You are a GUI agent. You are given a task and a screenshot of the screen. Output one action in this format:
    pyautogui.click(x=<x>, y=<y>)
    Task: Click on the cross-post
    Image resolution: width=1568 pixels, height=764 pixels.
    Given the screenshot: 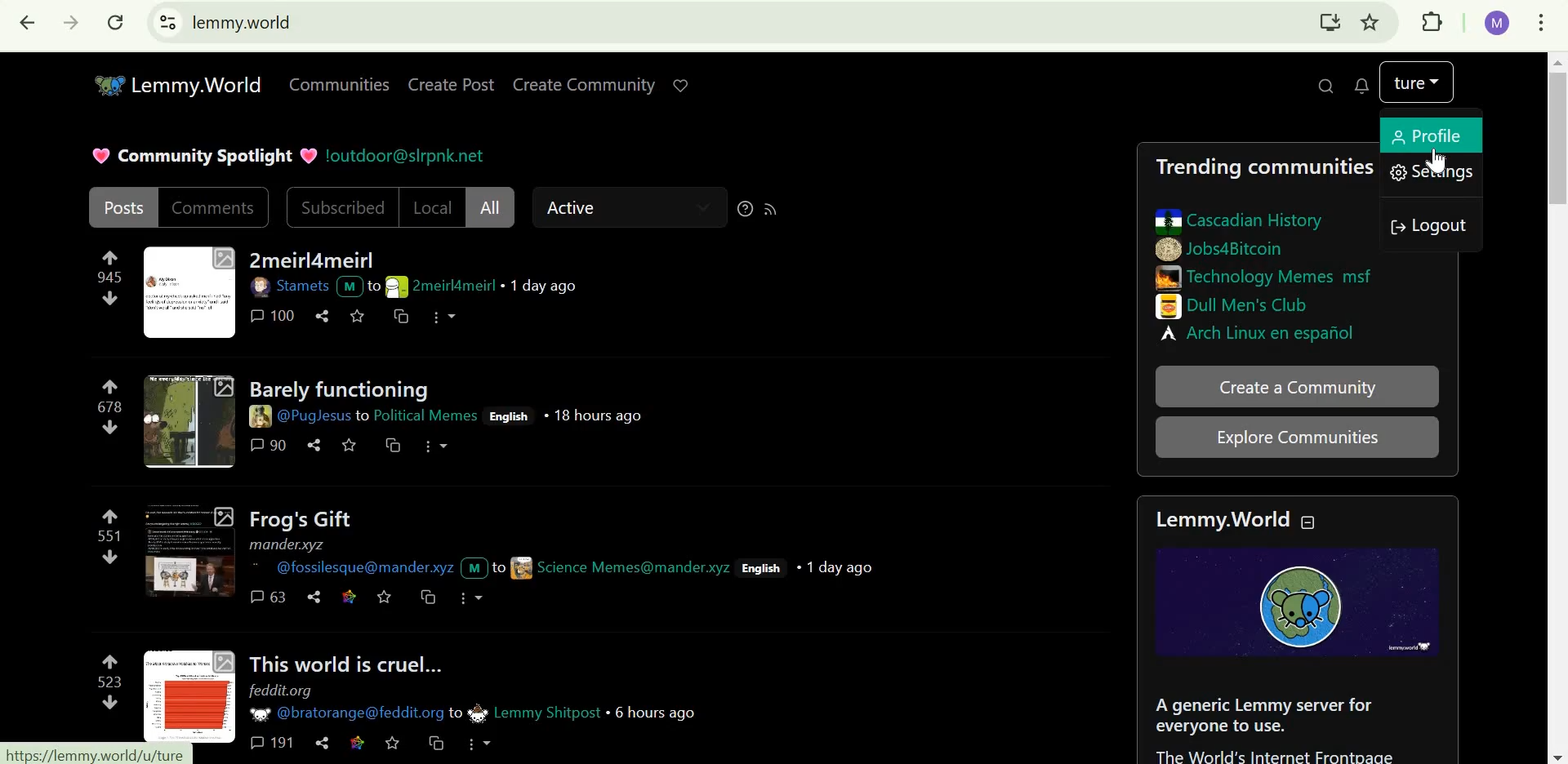 What is the action you would take?
    pyautogui.click(x=436, y=744)
    